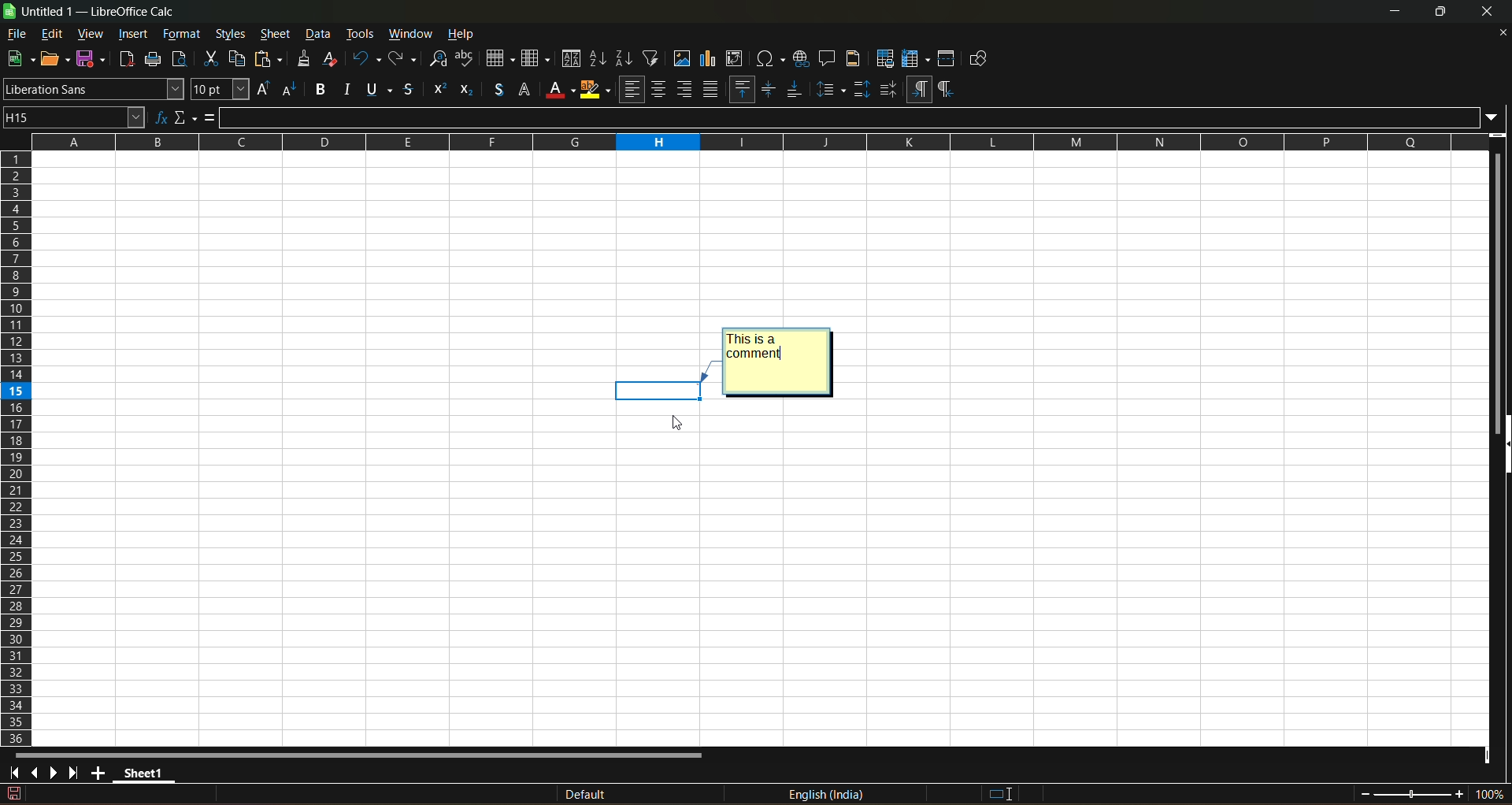  I want to click on freeze rows and columns, so click(915, 58).